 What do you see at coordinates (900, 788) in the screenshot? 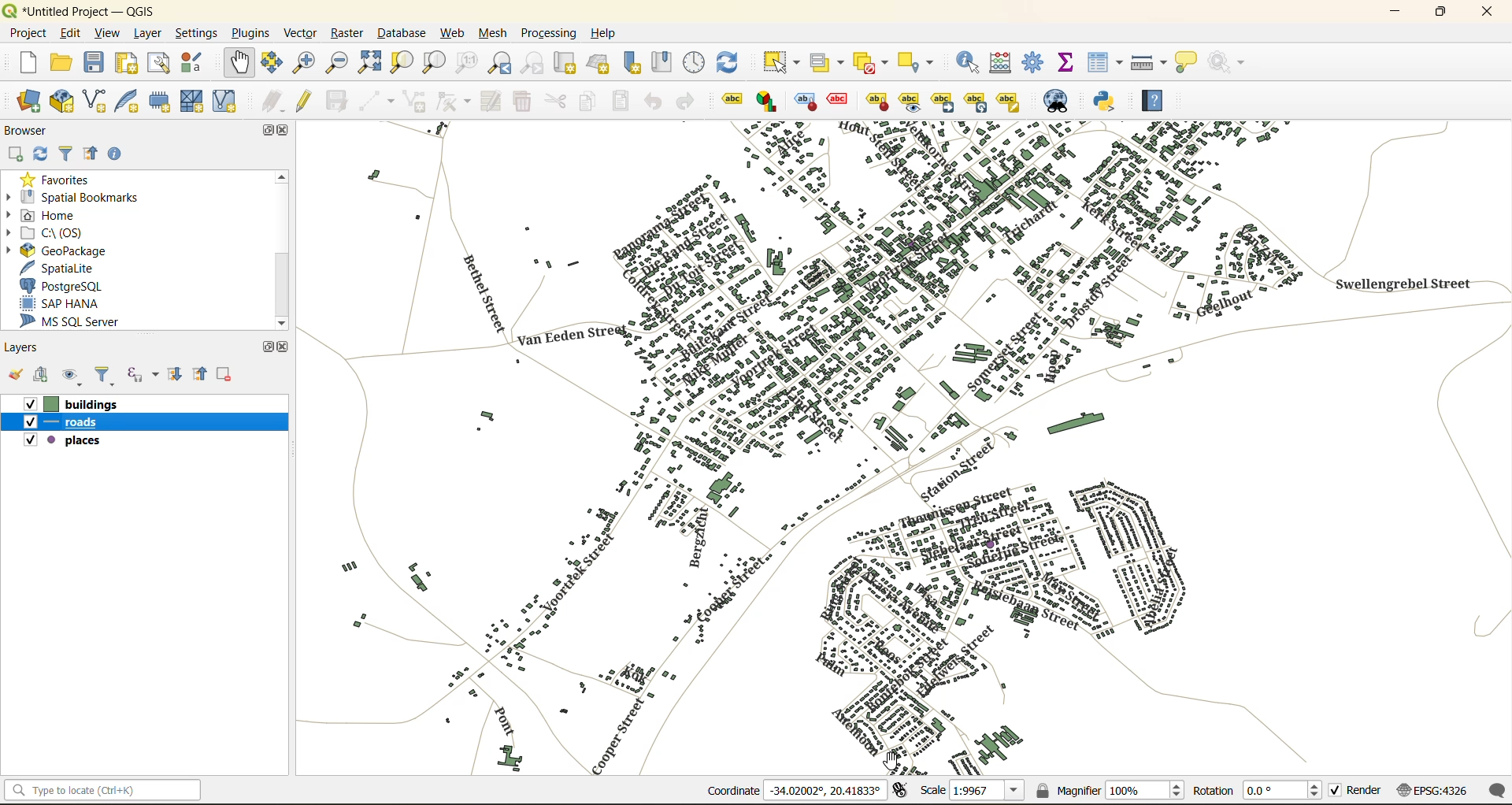
I see `toggle extents` at bounding box center [900, 788].